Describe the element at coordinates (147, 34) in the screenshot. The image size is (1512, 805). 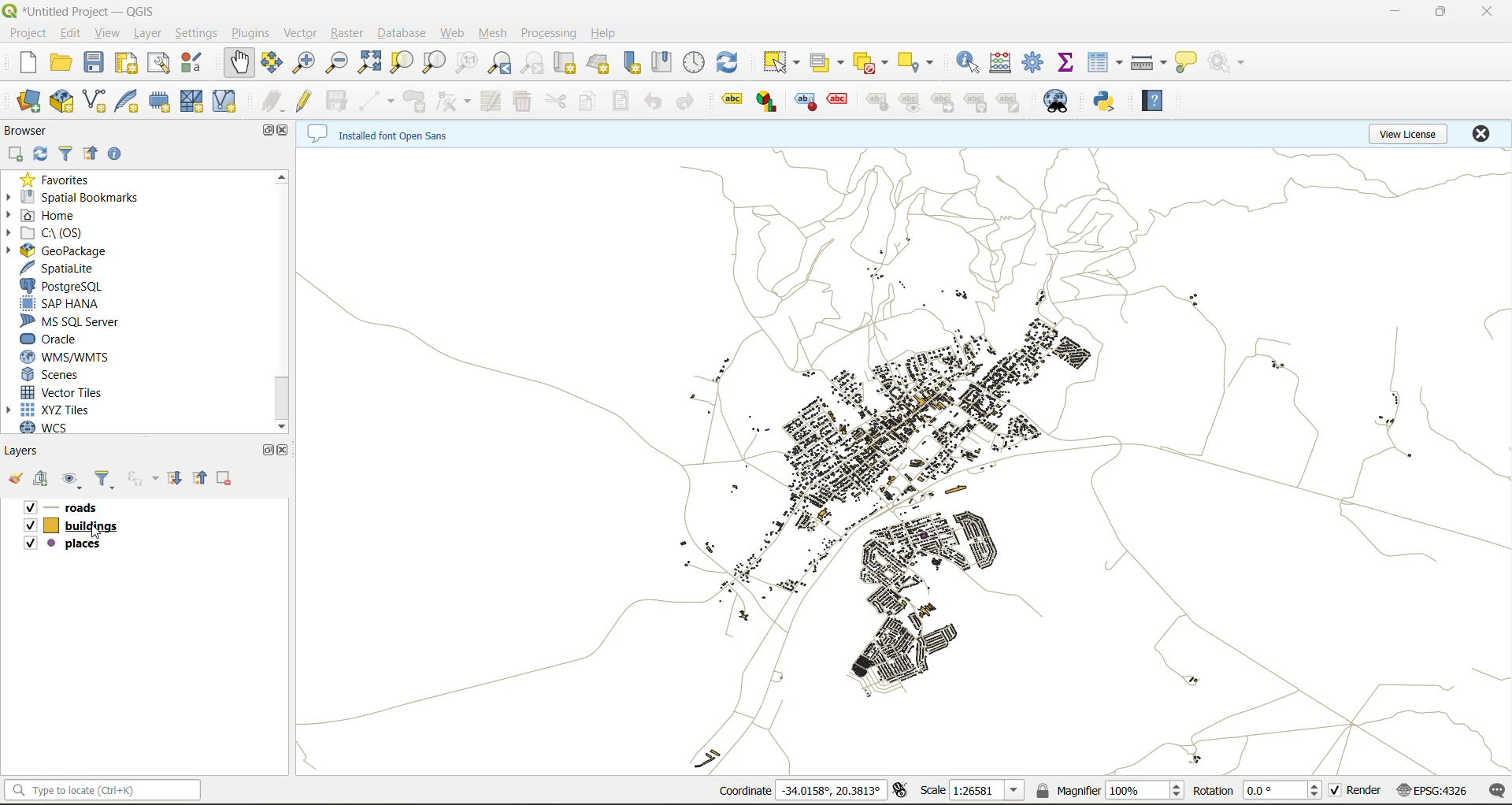
I see `layer` at that location.